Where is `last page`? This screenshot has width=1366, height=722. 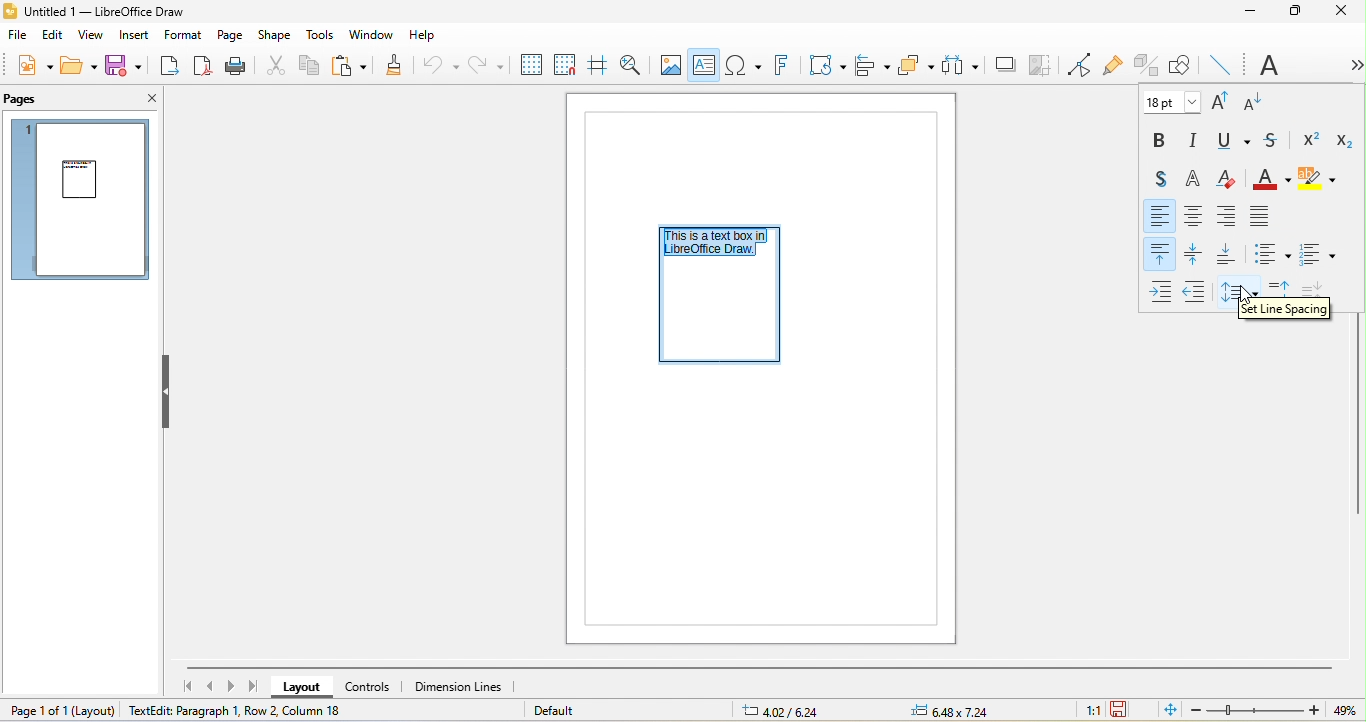 last page is located at coordinates (253, 686).